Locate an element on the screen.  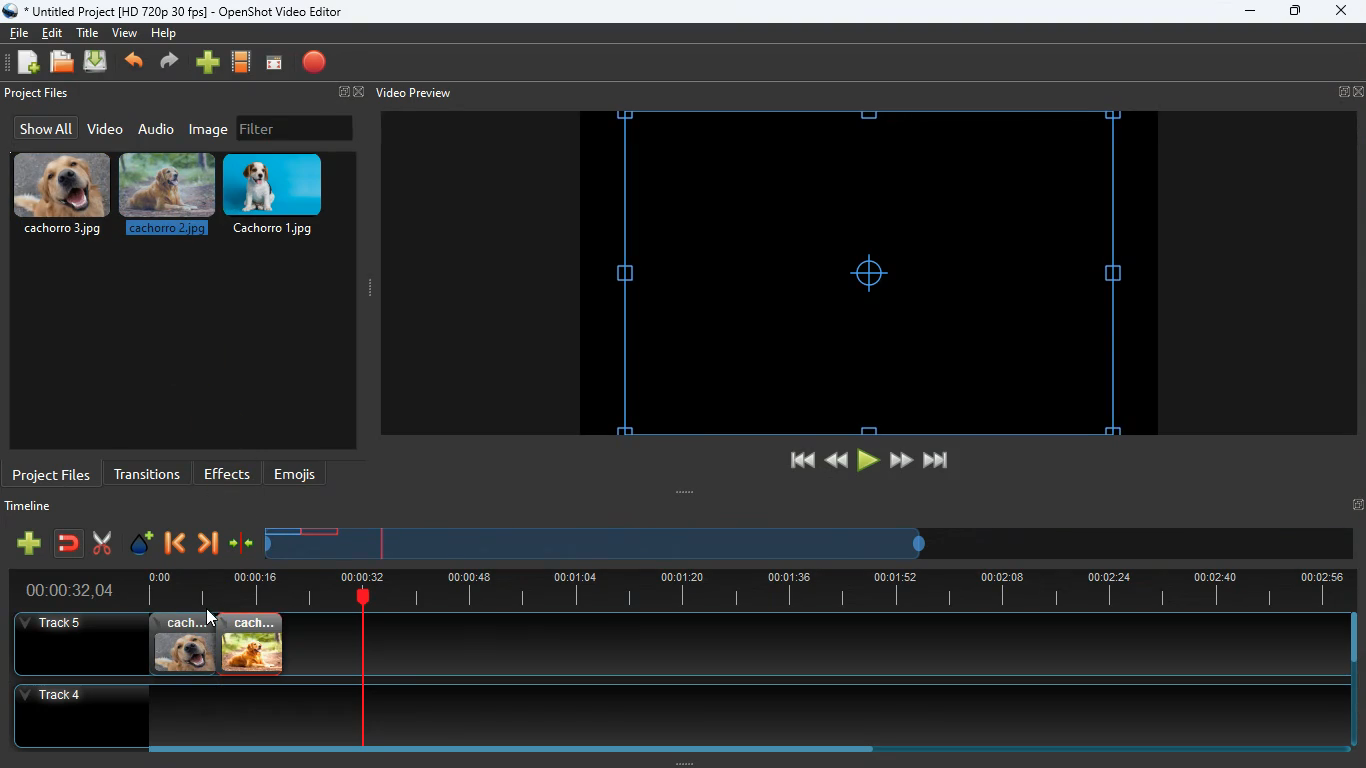
track is located at coordinates (663, 715).